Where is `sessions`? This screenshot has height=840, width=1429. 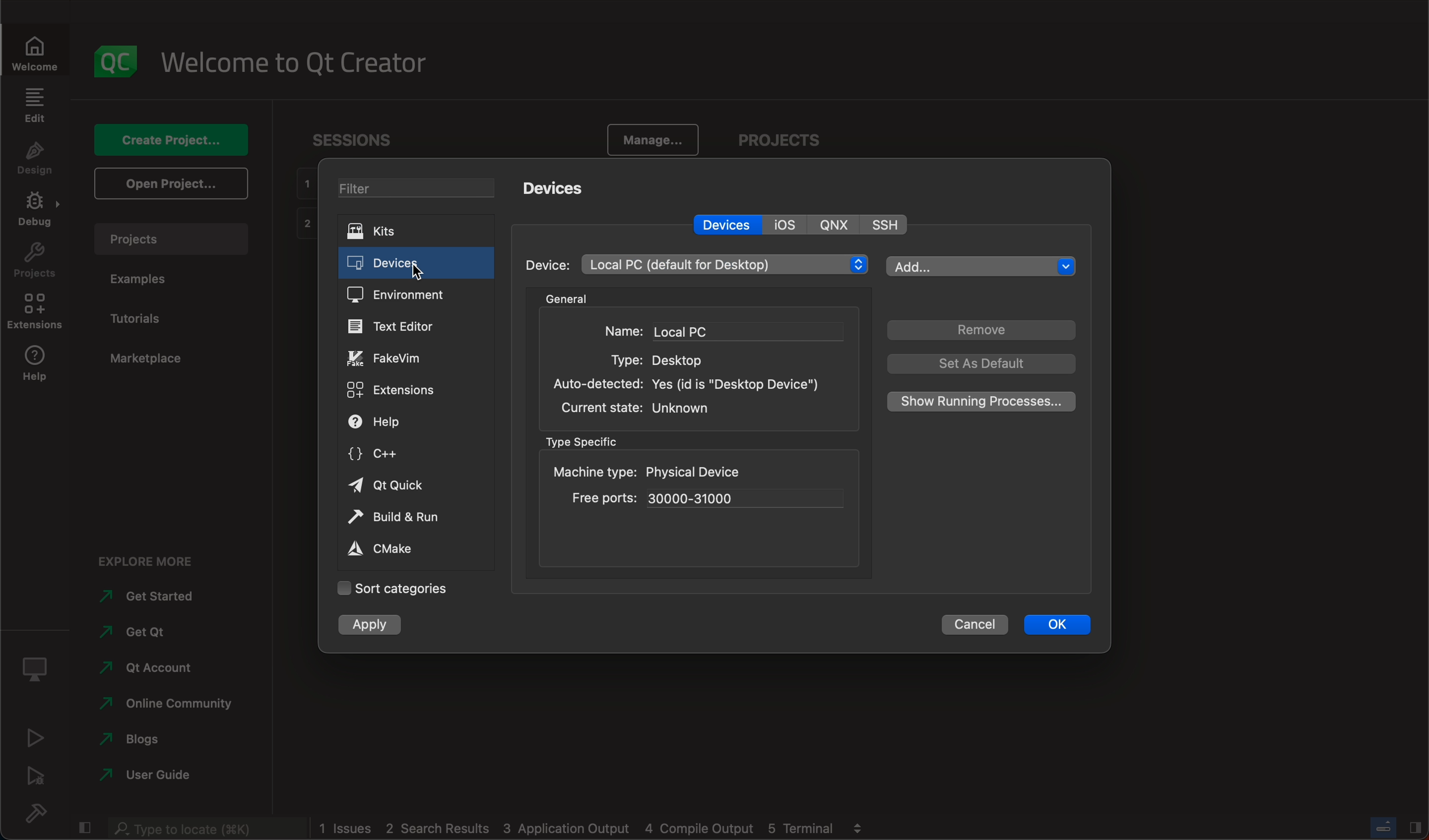 sessions is located at coordinates (360, 139).